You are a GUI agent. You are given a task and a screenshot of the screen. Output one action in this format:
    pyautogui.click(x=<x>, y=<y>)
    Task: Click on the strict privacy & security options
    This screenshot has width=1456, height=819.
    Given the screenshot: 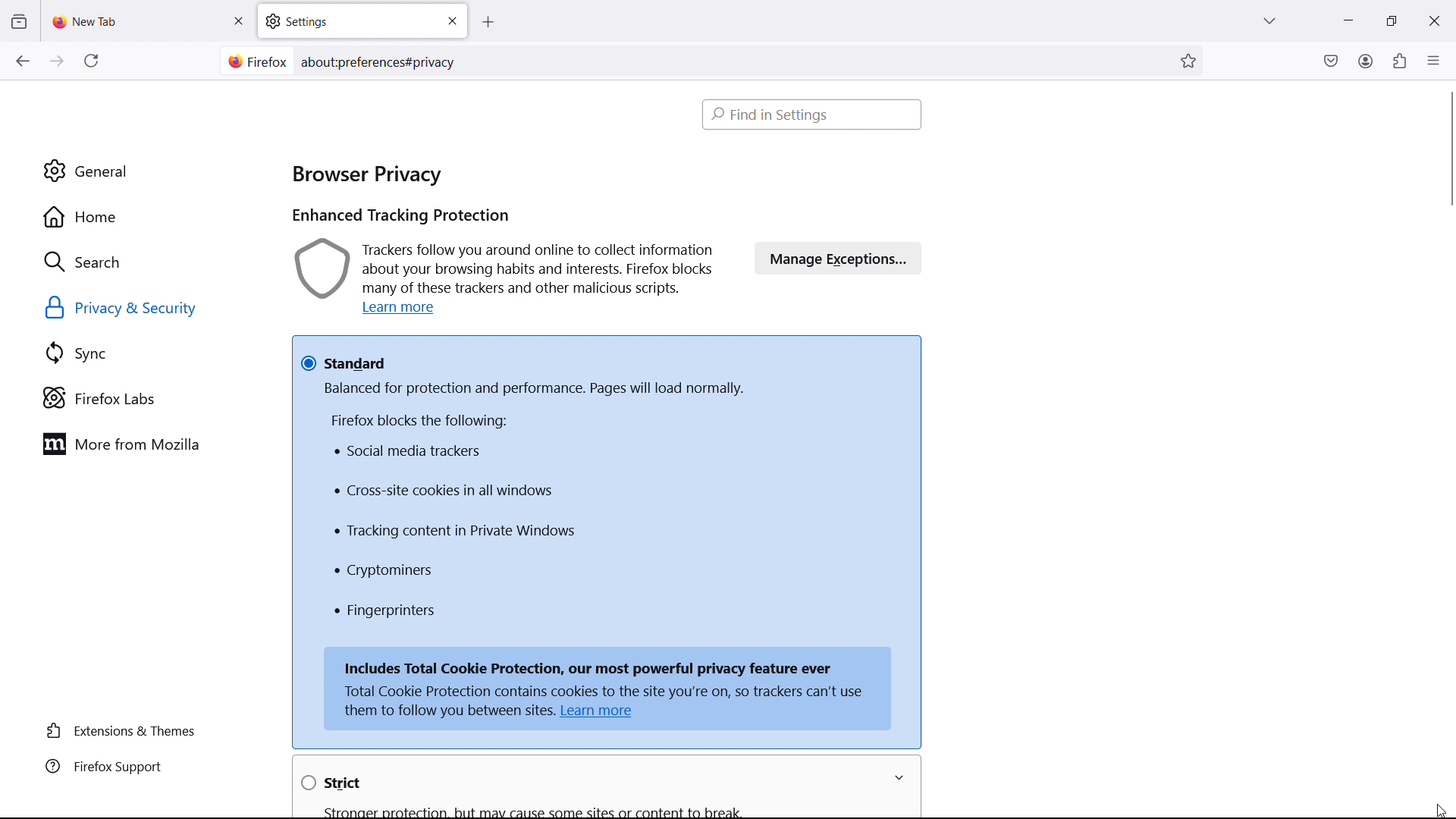 What is the action you would take?
    pyautogui.click(x=573, y=784)
    